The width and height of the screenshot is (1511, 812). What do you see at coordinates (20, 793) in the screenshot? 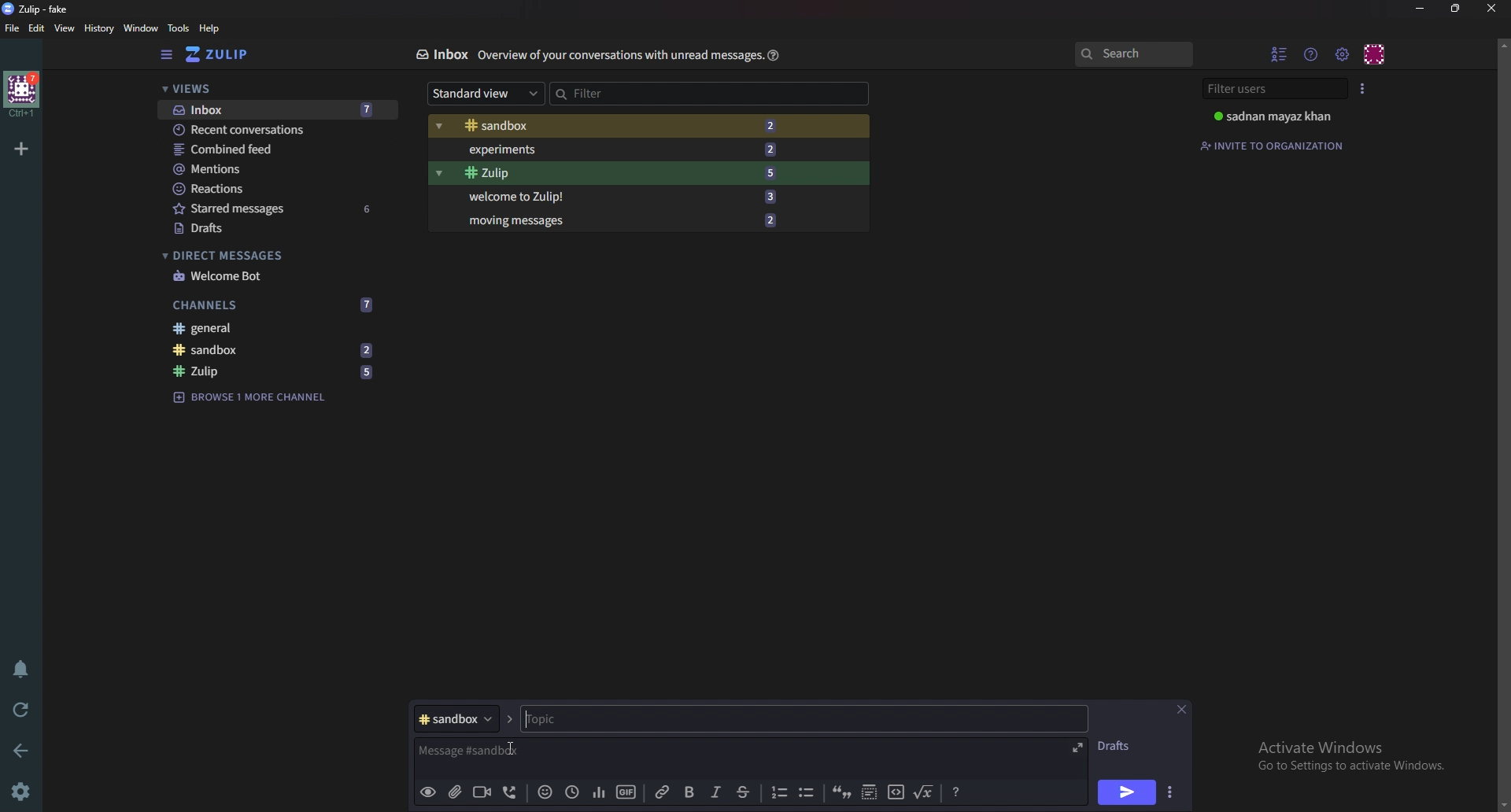
I see `Settings` at bounding box center [20, 793].